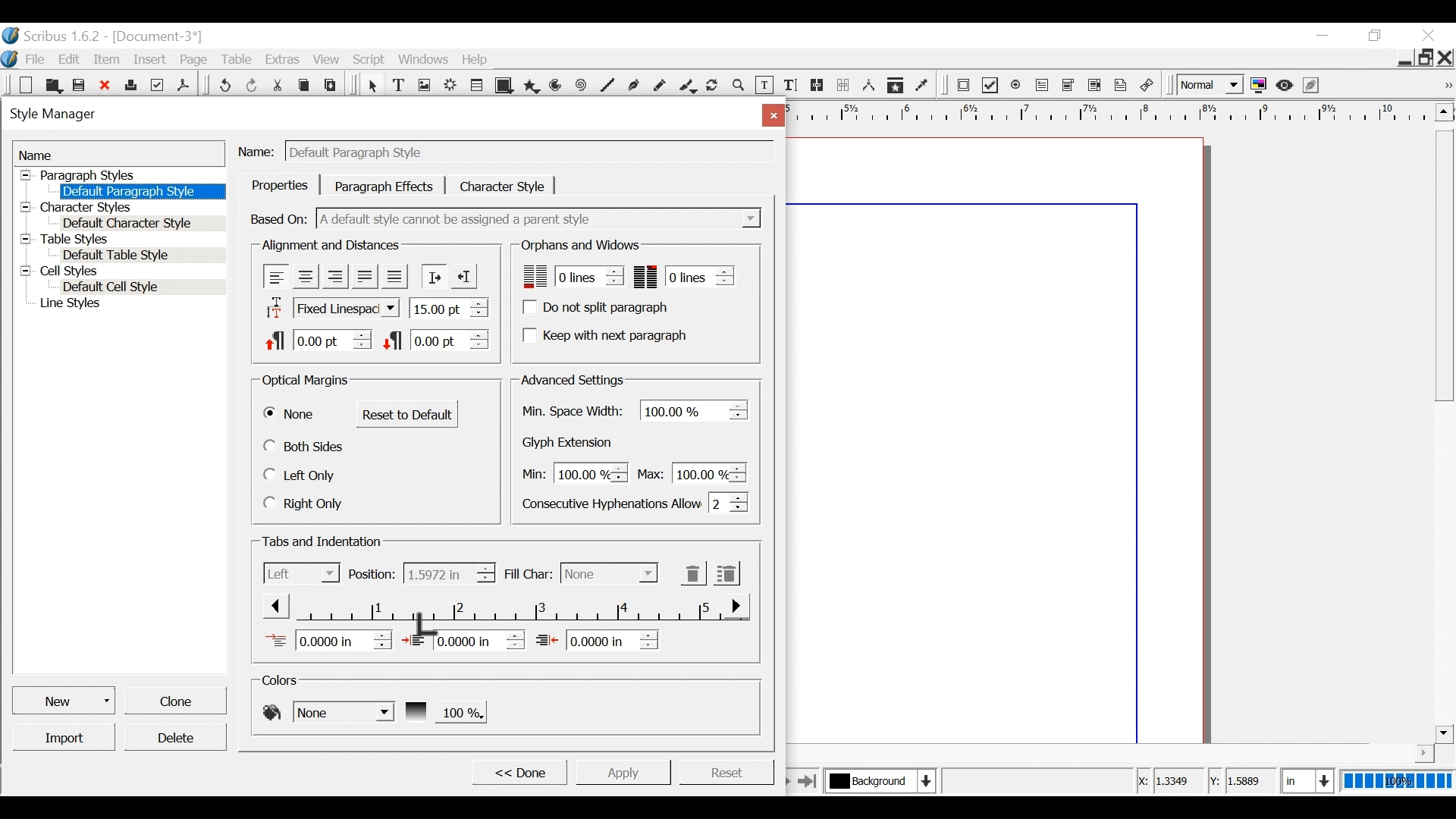 The height and width of the screenshot is (819, 1456). What do you see at coordinates (328, 640) in the screenshot?
I see `First line Indent` at bounding box center [328, 640].